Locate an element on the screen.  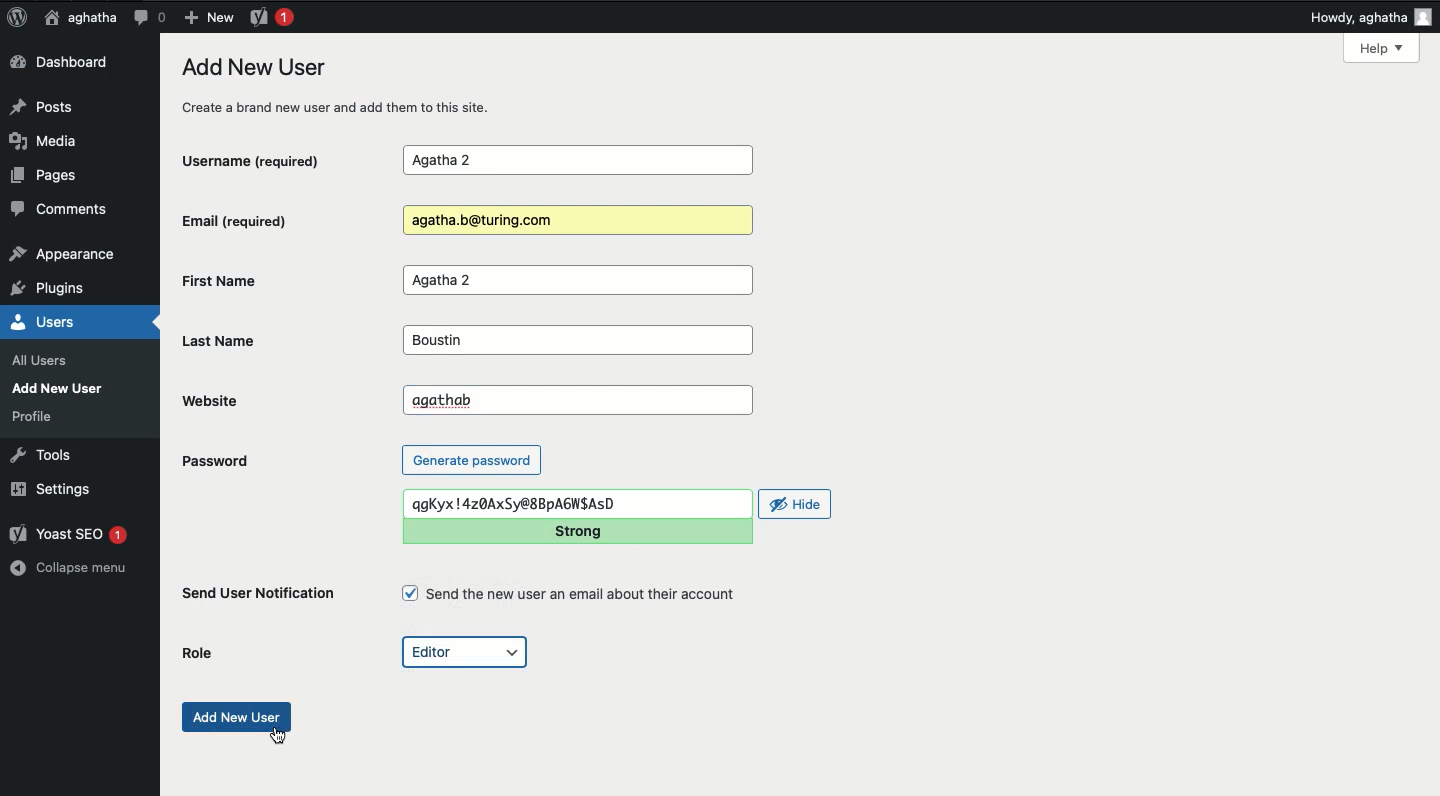
appearance is located at coordinates (63, 256).